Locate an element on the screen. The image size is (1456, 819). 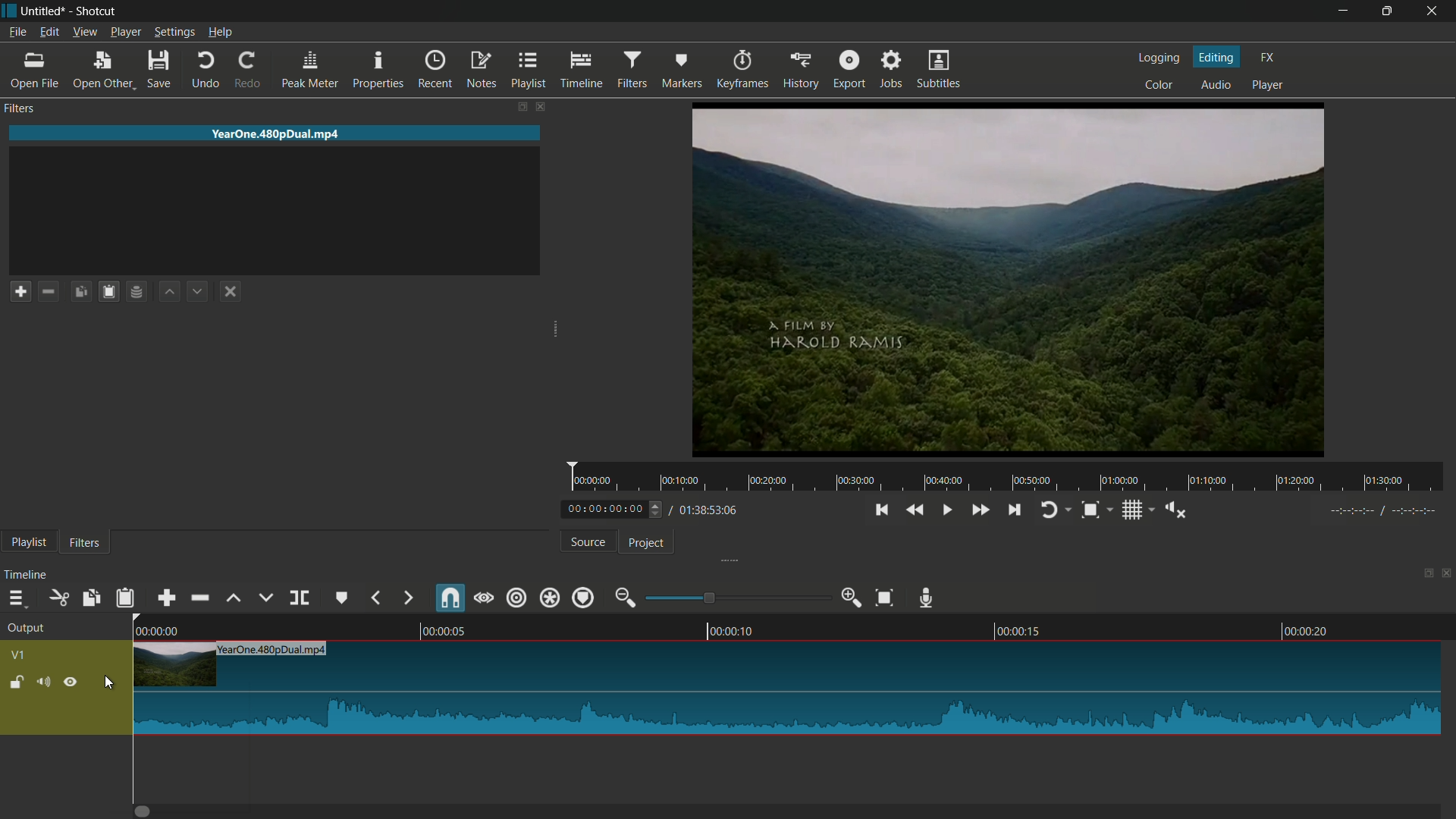
imported file in timeline is located at coordinates (786, 693).